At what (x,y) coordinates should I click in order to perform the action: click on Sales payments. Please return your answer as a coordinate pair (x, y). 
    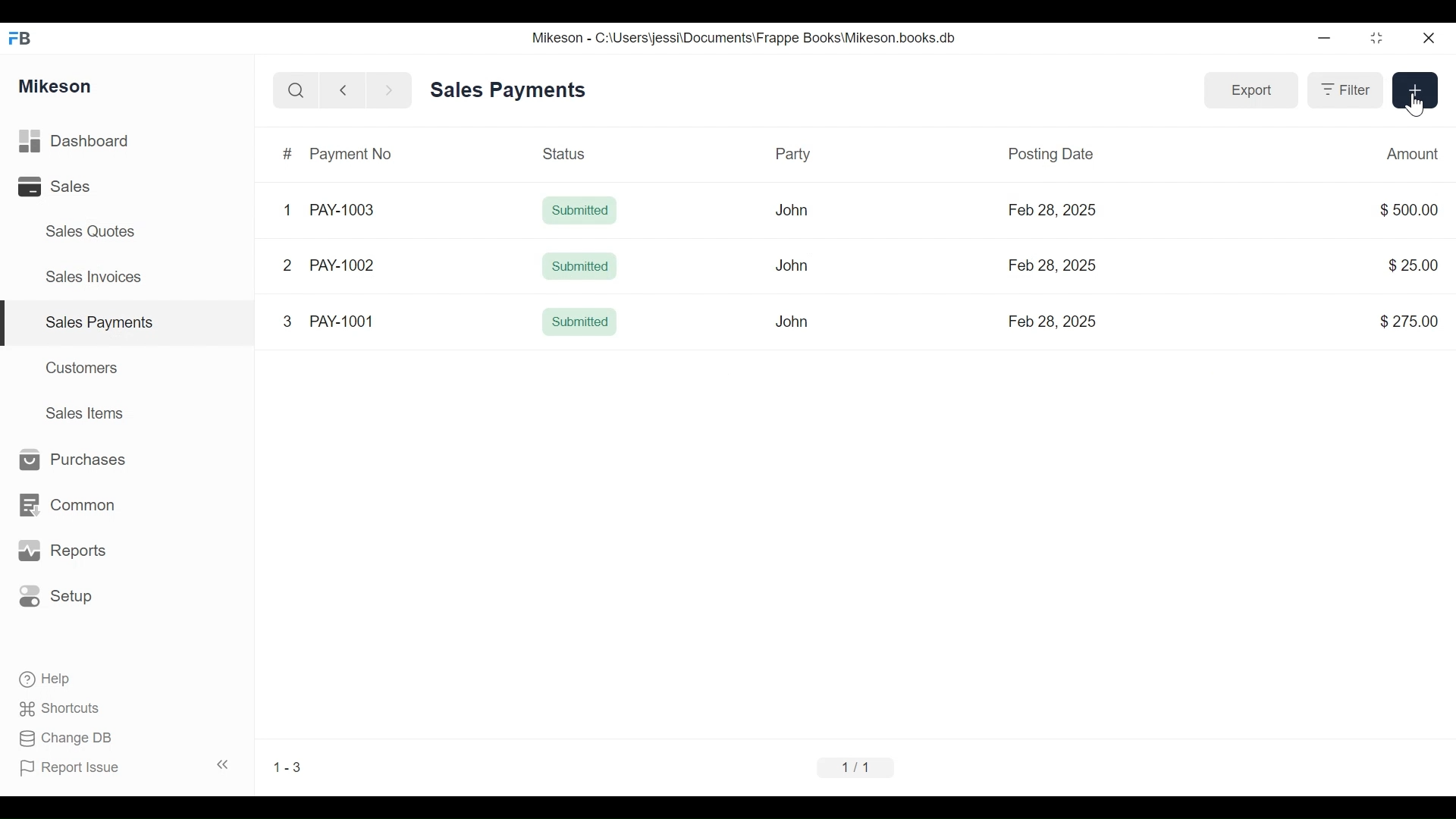
    Looking at the image, I should click on (102, 322).